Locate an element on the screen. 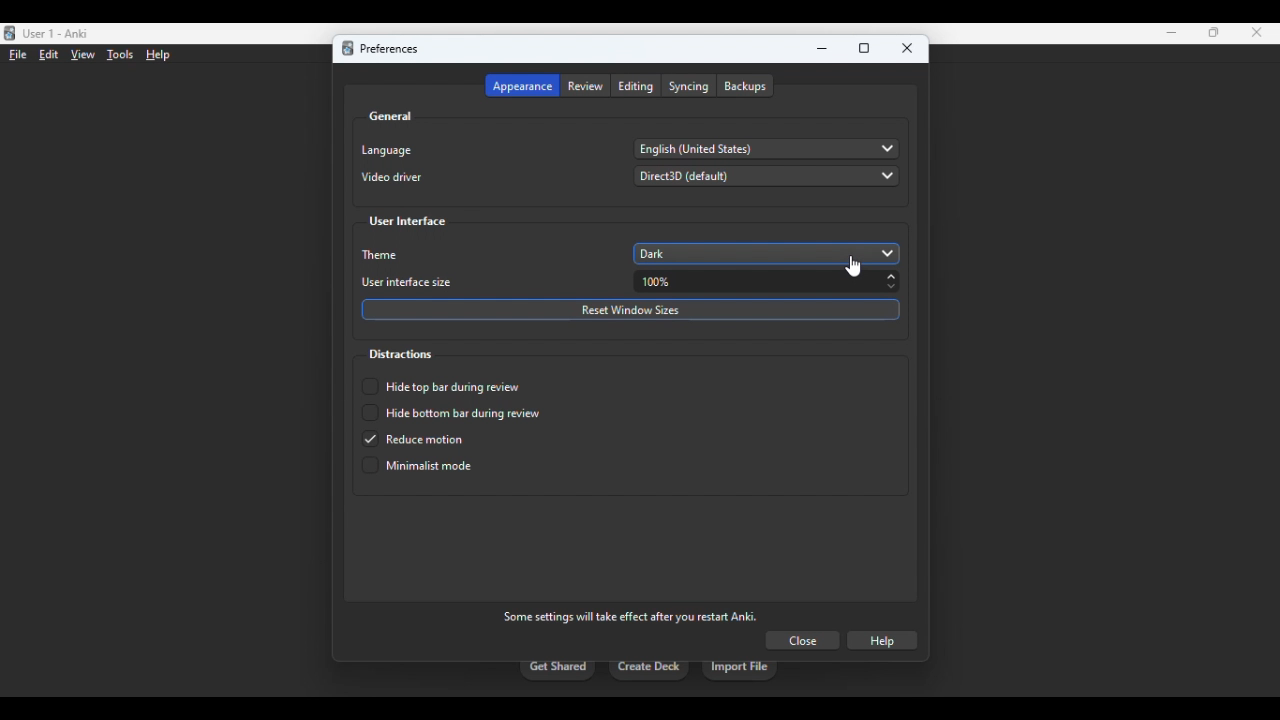  close is located at coordinates (802, 640).